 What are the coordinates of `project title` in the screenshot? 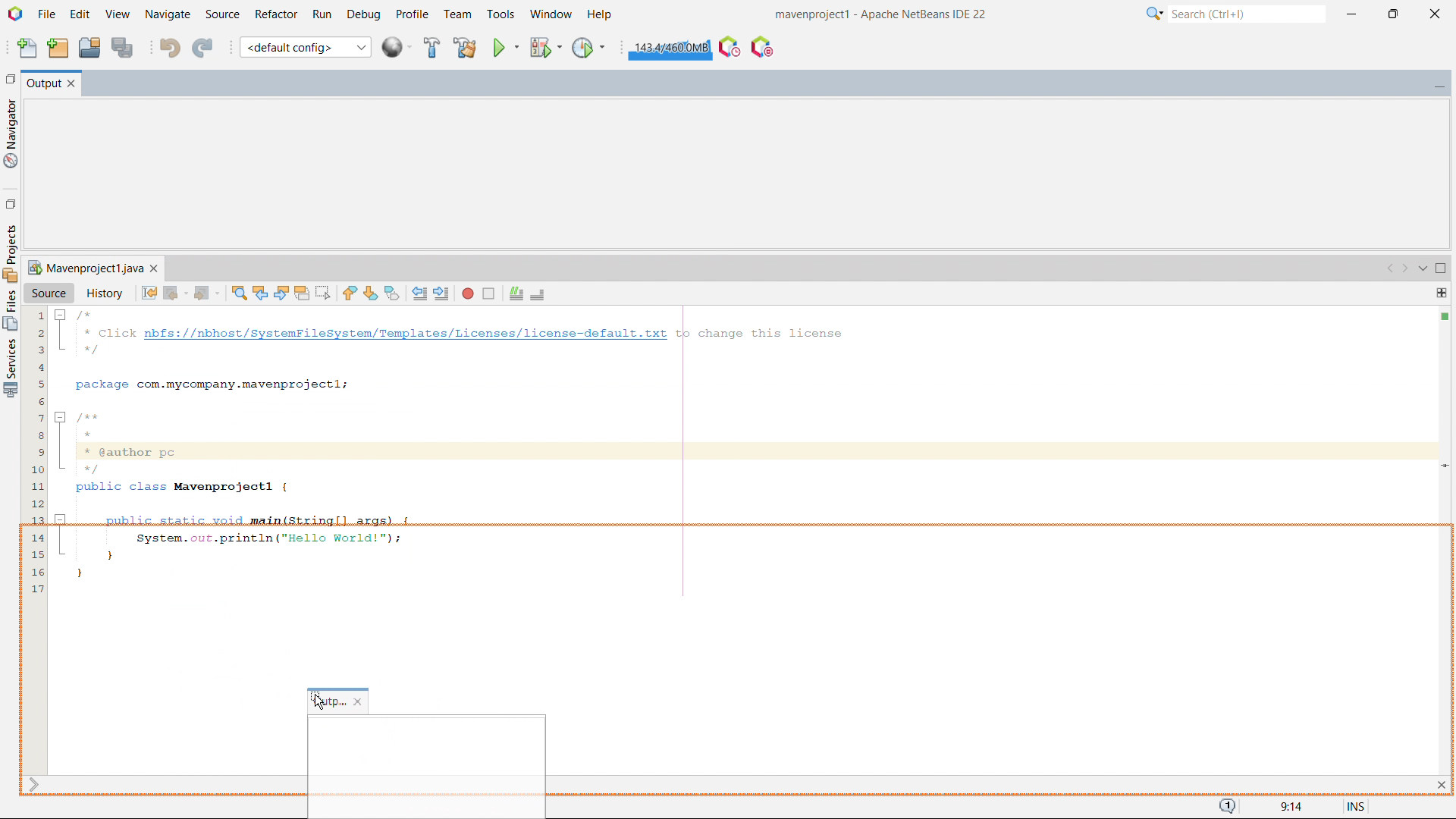 It's located at (882, 14).